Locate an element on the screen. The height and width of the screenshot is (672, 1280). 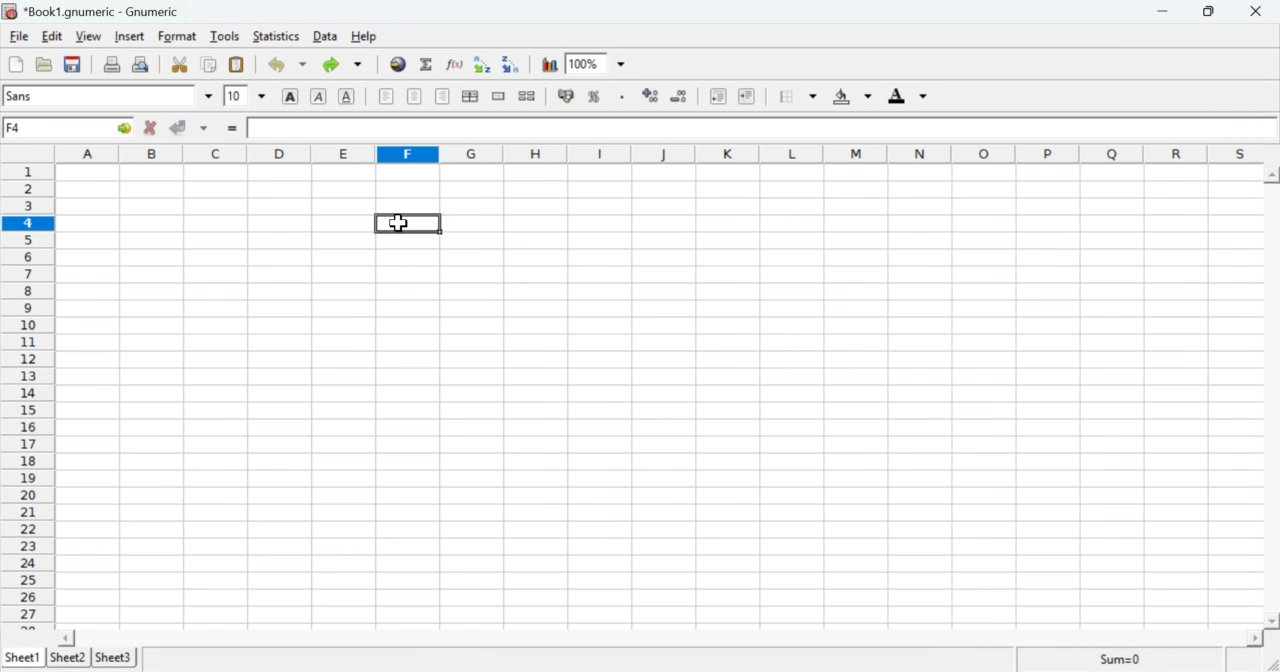
Format is located at coordinates (177, 36).